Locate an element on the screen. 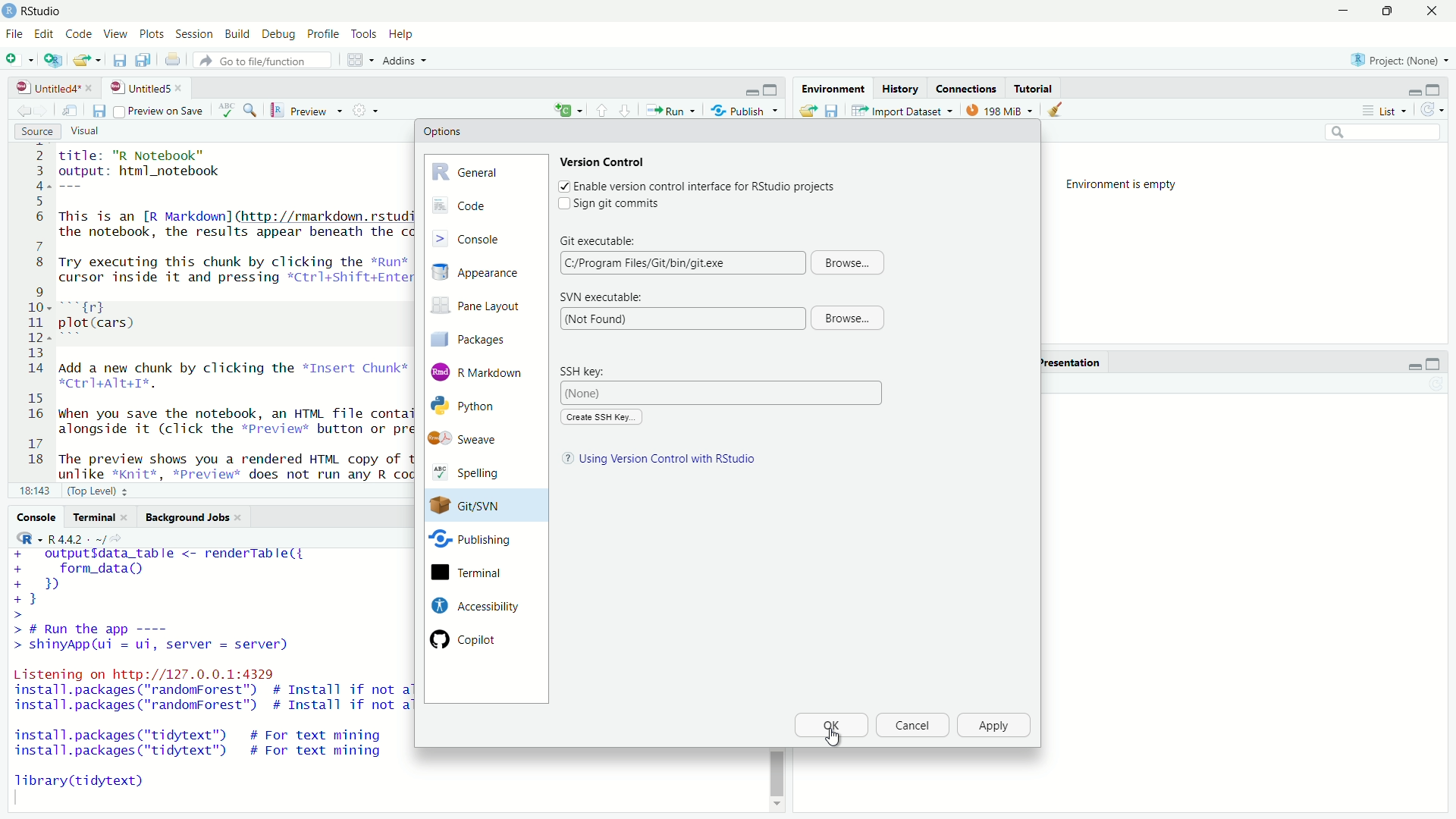 This screenshot has height=819, width=1456. Debug is located at coordinates (280, 36).